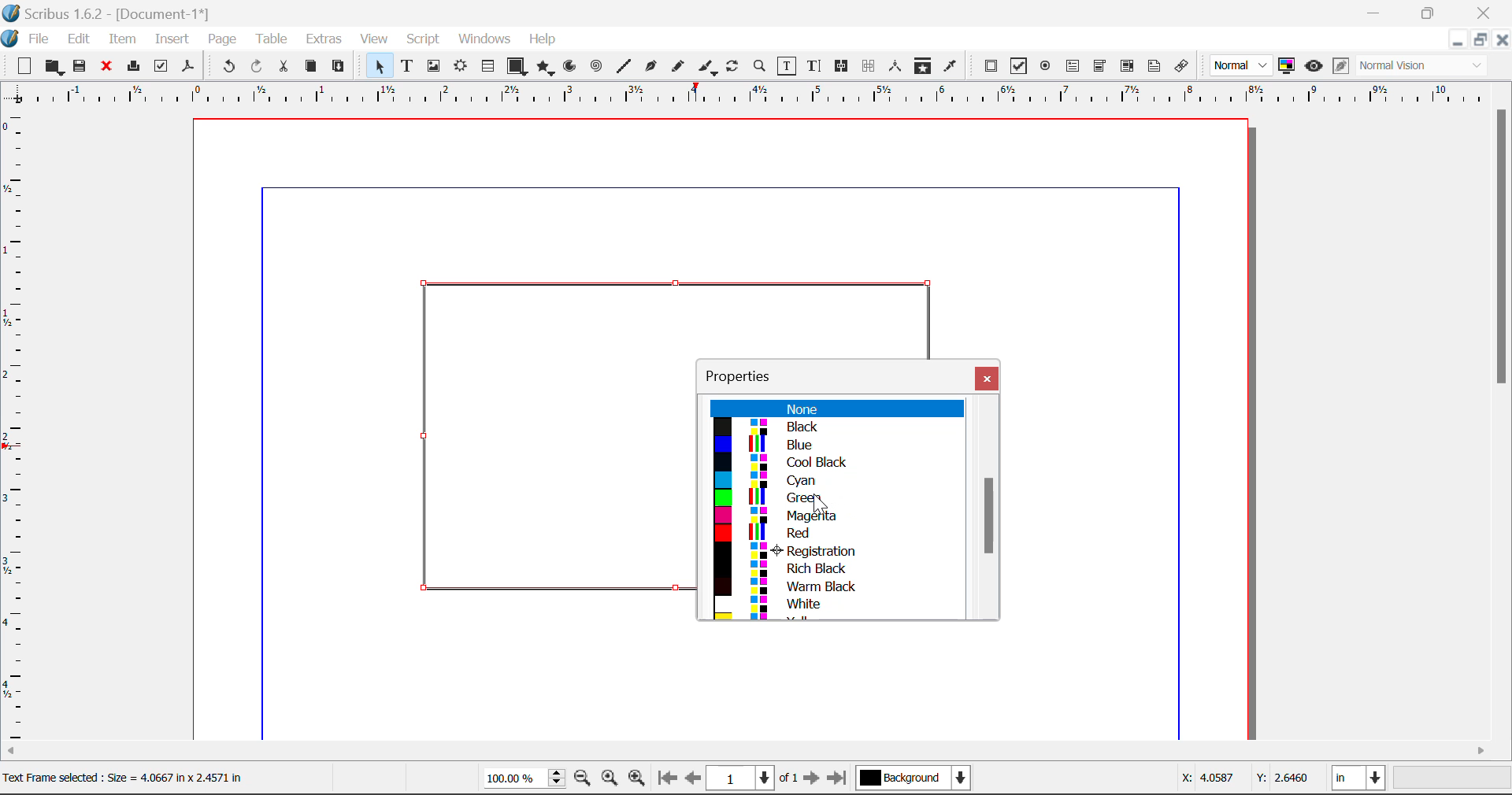 The image size is (1512, 795). What do you see at coordinates (1019, 66) in the screenshot?
I see `Pdf Checkbox` at bounding box center [1019, 66].